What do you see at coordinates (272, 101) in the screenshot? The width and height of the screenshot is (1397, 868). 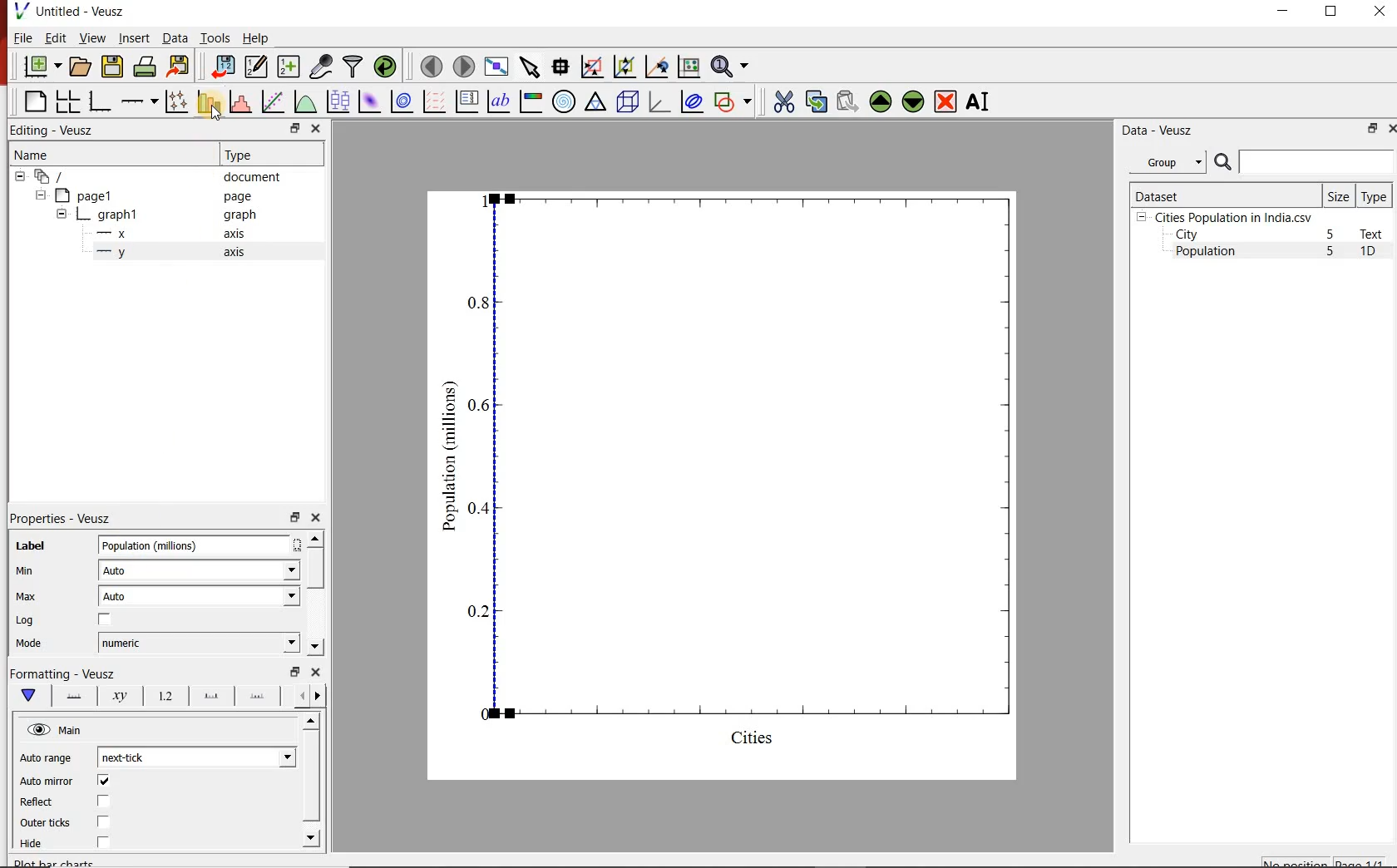 I see `fit a function to data` at bounding box center [272, 101].